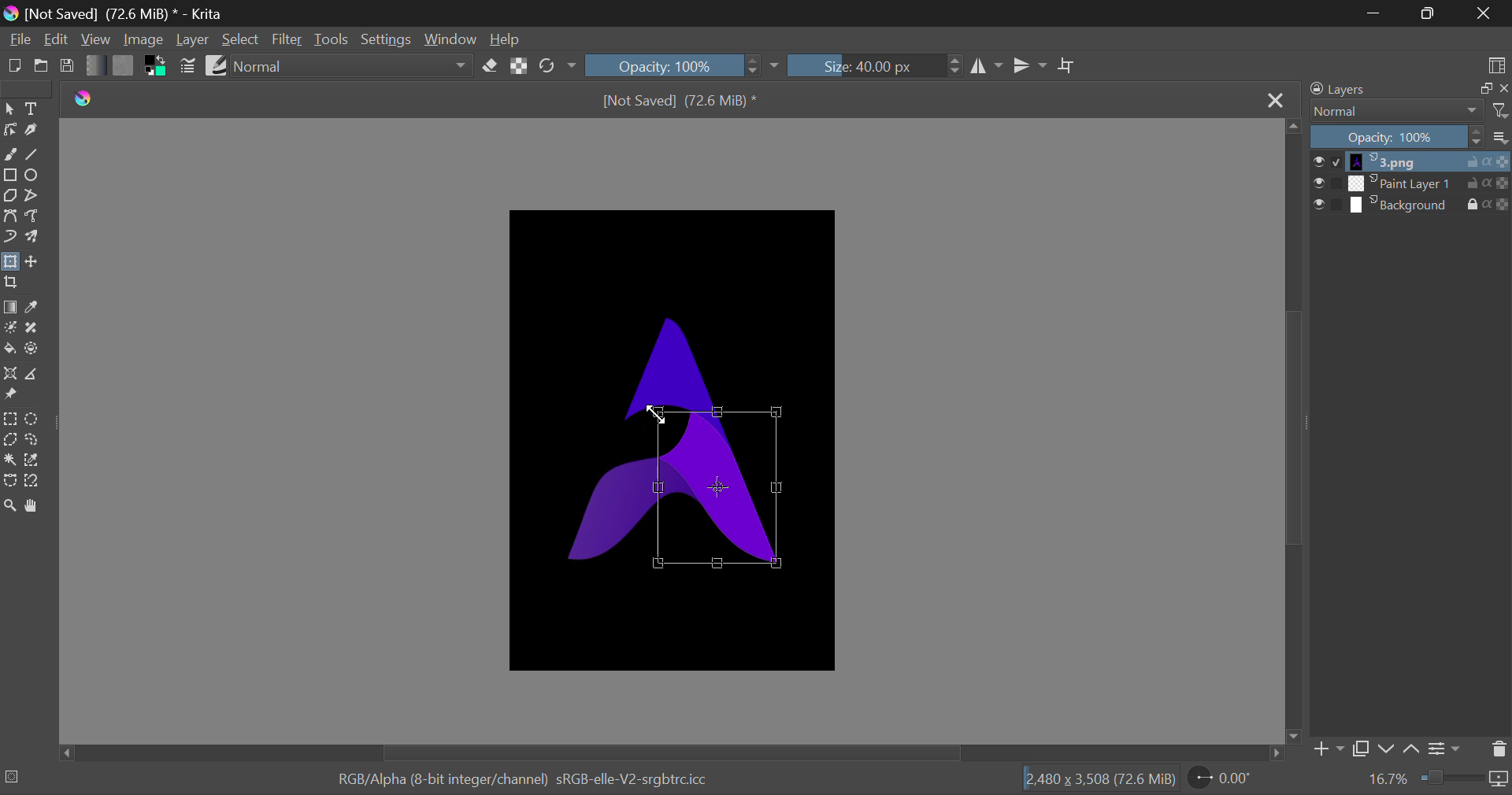 This screenshot has width=1512, height=795. Describe the element at coordinates (1451, 777) in the screenshot. I see `Zoom slider` at that location.